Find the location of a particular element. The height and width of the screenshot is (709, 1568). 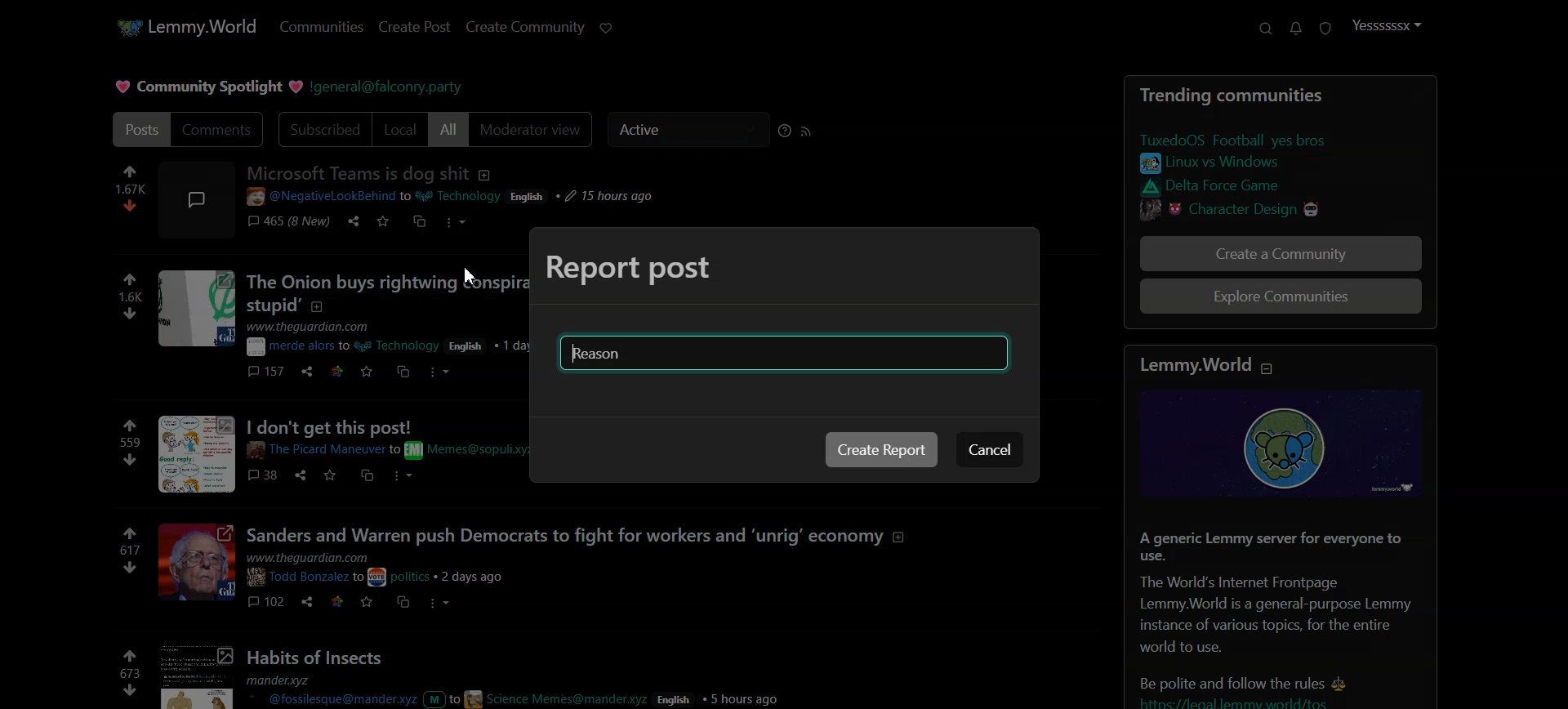

Unread Report is located at coordinates (1325, 29).